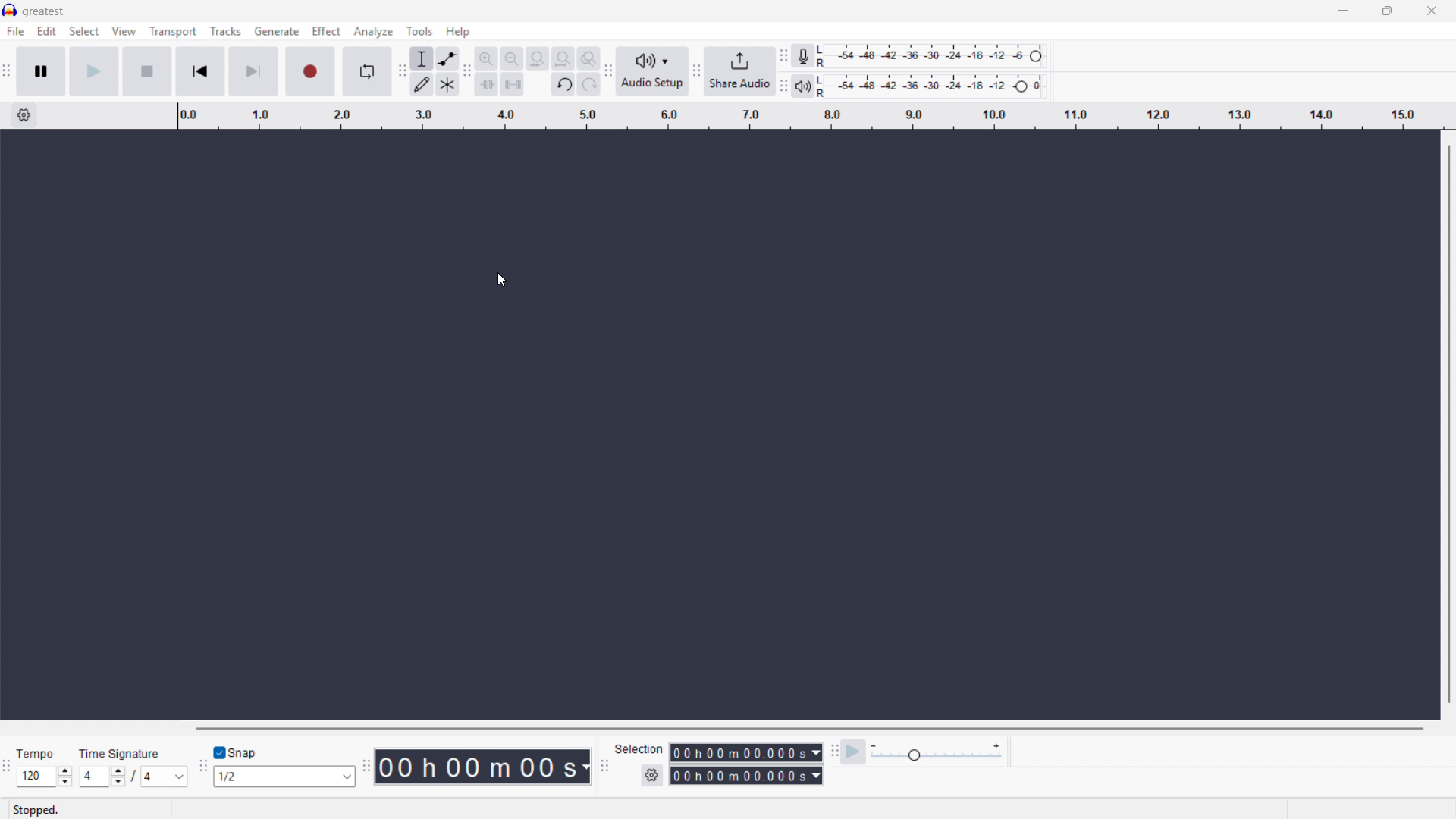 The image size is (1456, 819). Describe the element at coordinates (1449, 424) in the screenshot. I see `Vertical scroll bar ` at that location.